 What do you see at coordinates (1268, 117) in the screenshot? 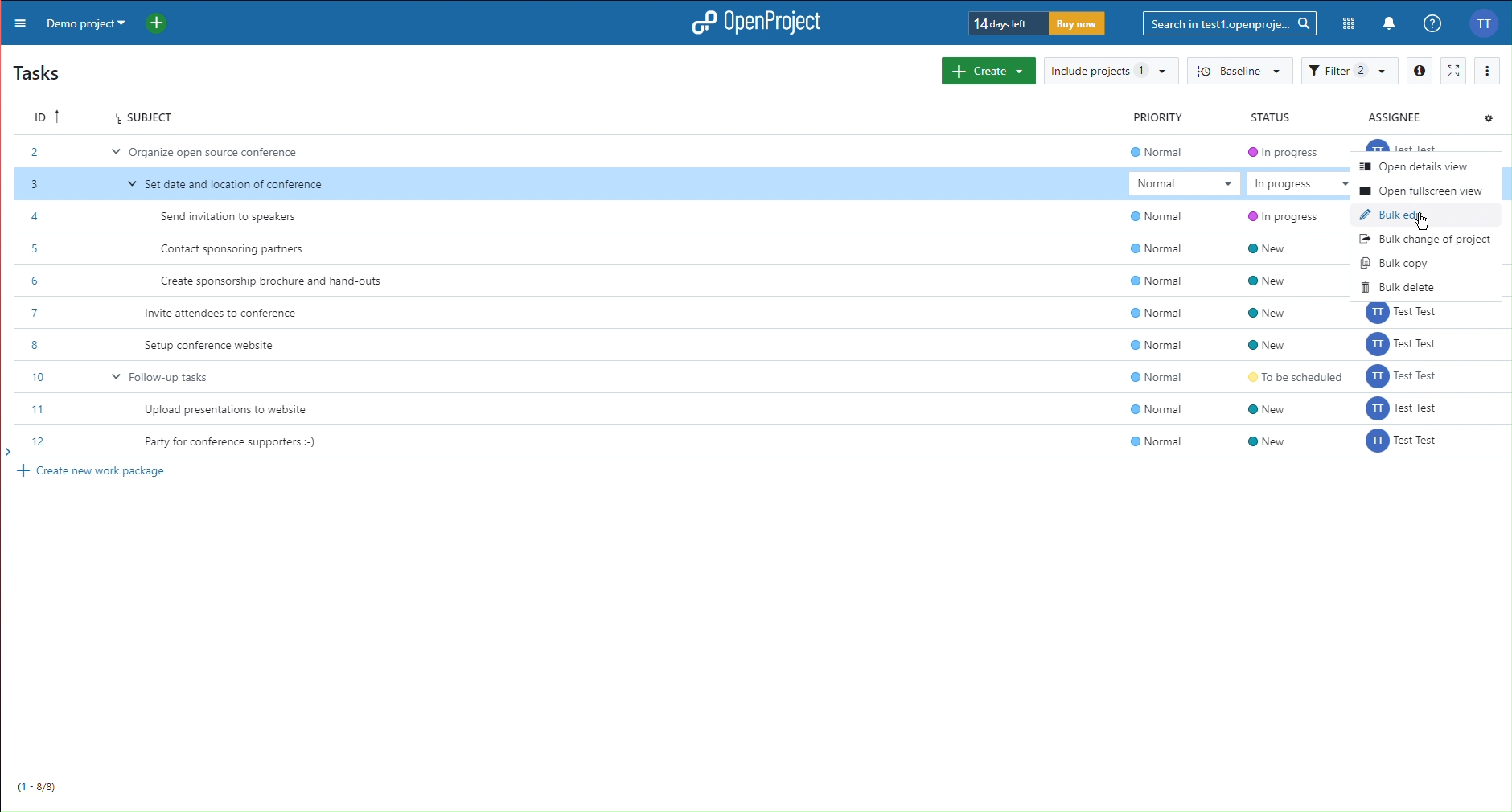
I see `Status` at bounding box center [1268, 117].